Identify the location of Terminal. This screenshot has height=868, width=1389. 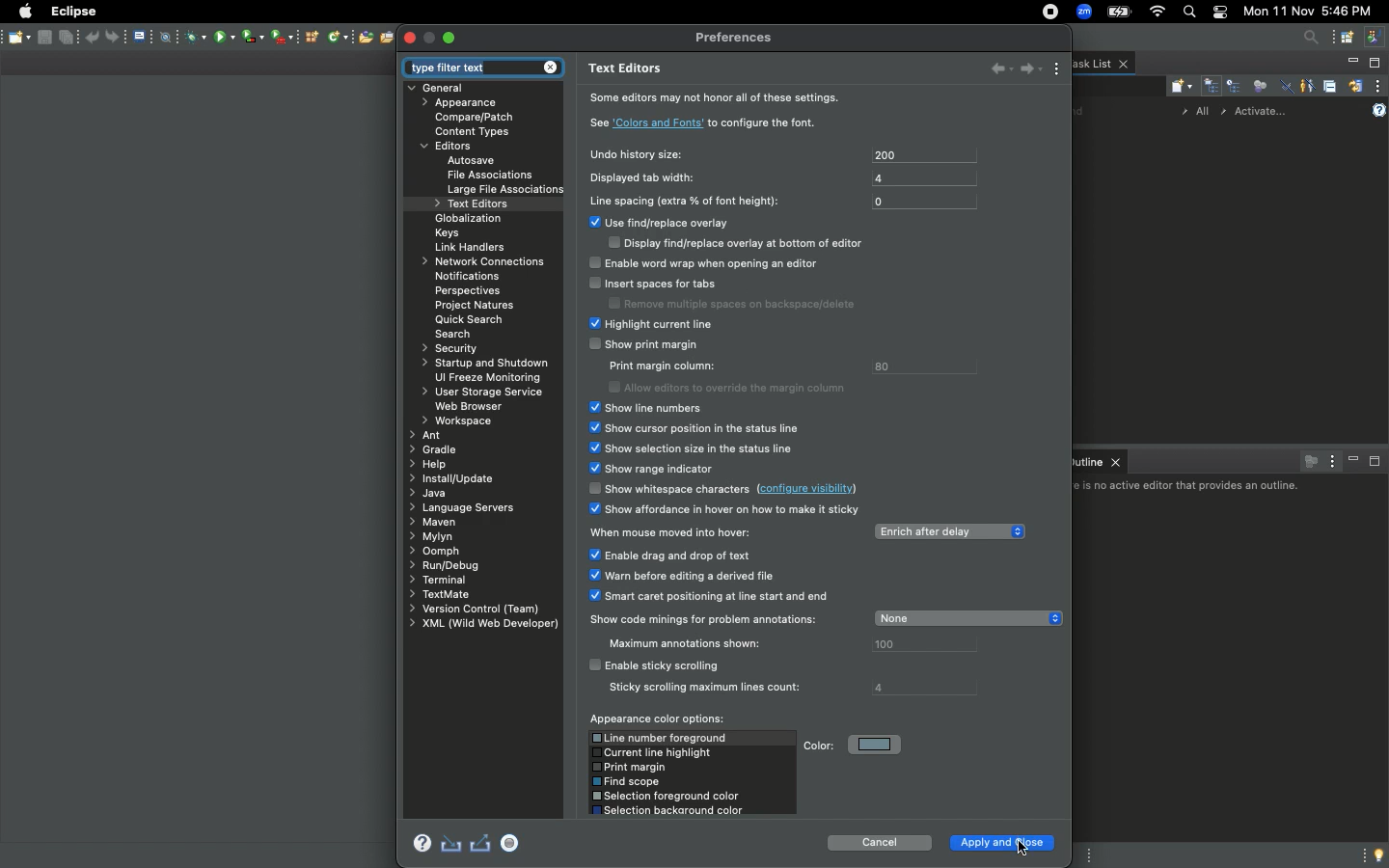
(438, 578).